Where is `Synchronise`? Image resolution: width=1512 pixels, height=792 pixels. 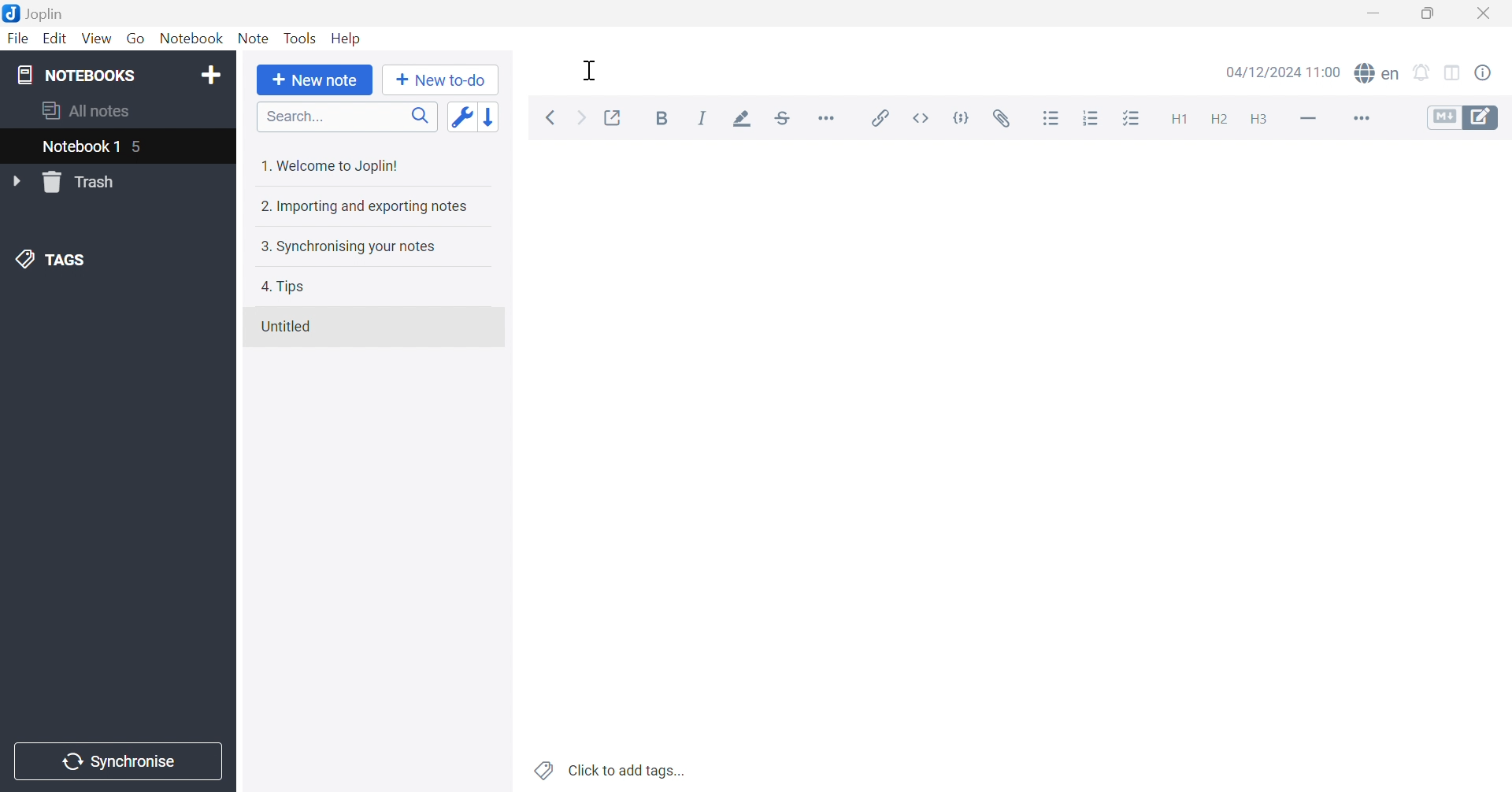
Synchronise is located at coordinates (120, 762).